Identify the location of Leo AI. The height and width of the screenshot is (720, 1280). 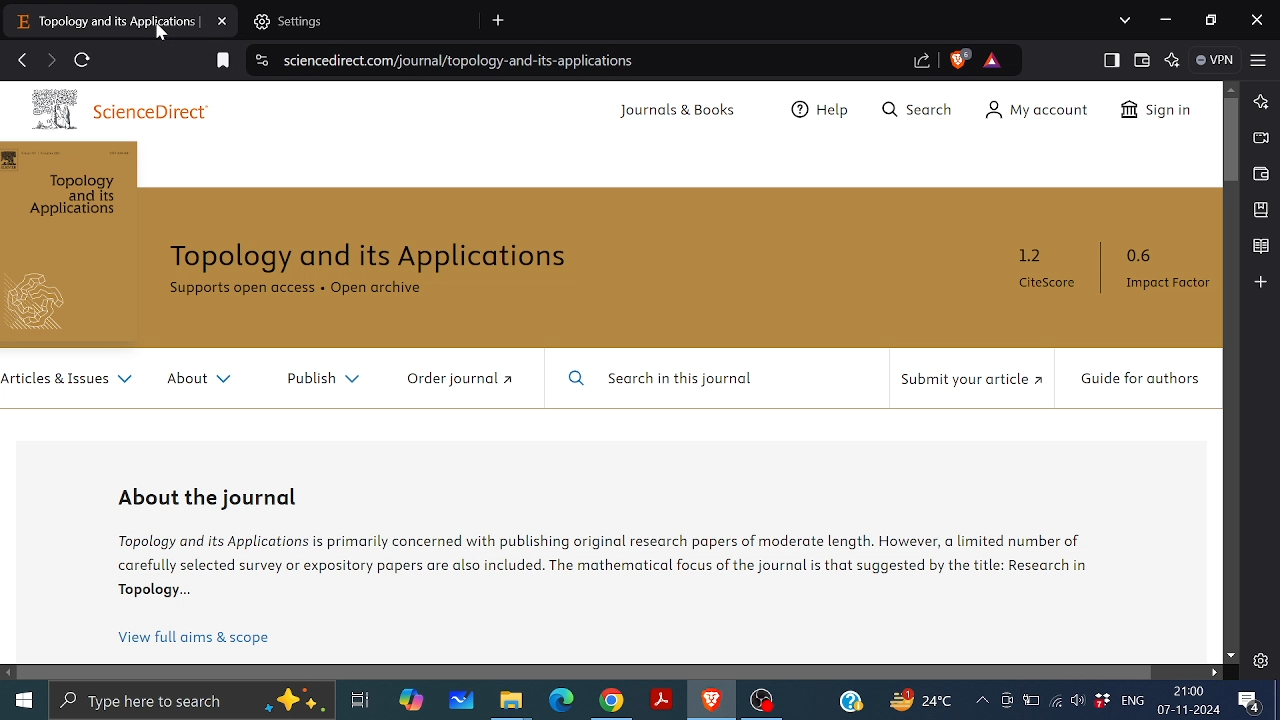
(1173, 62).